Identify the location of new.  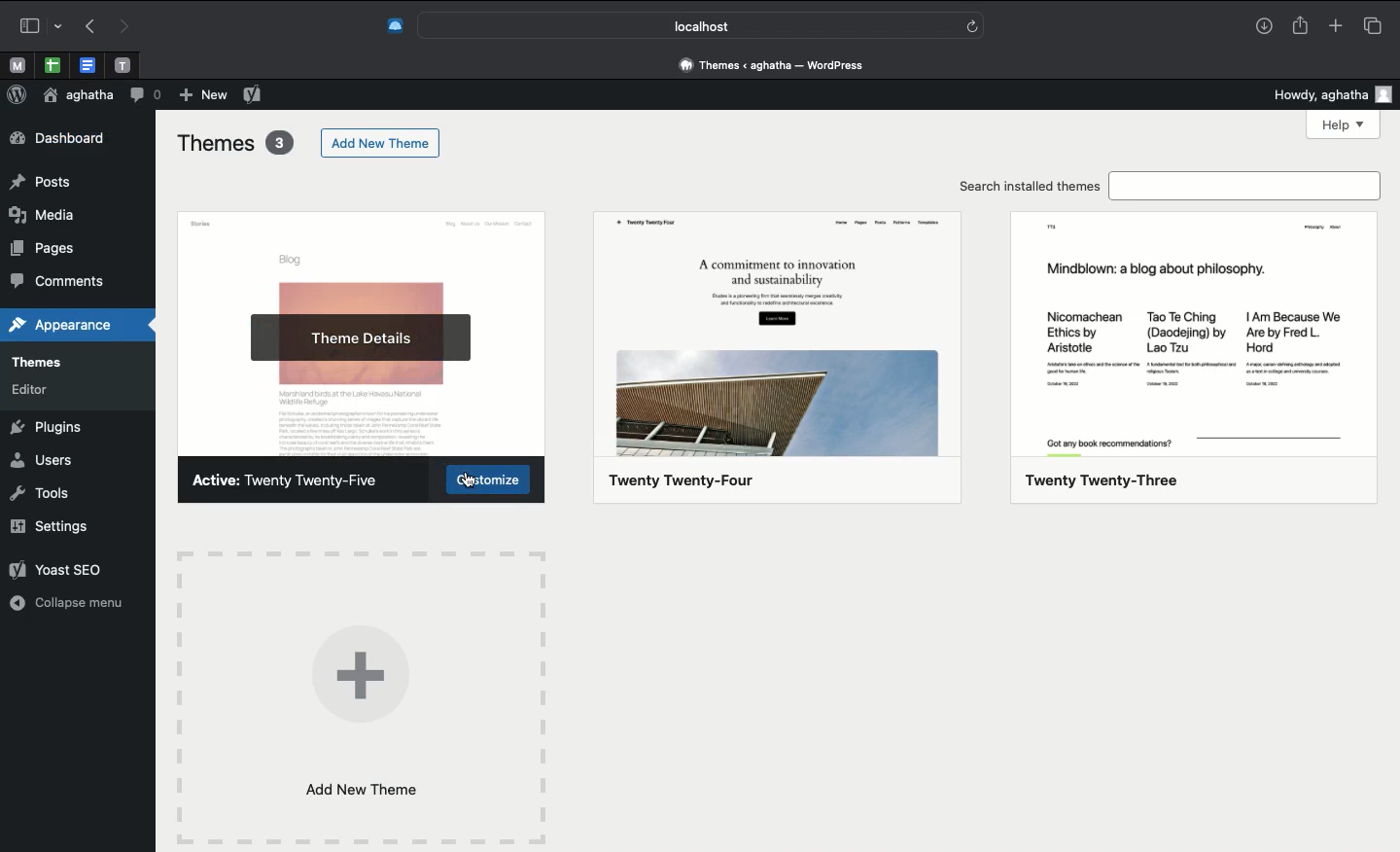
(207, 95).